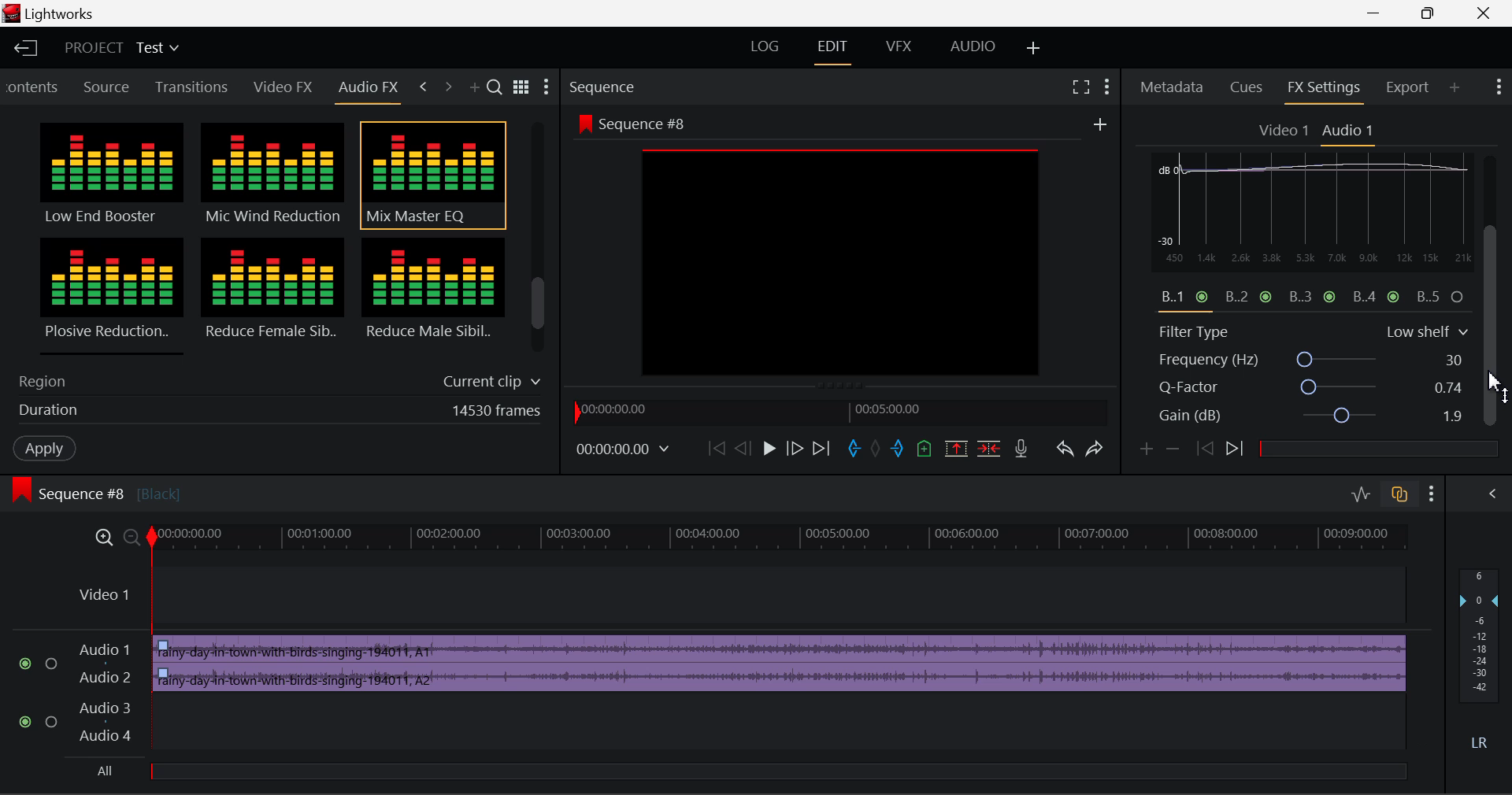  Describe the element at coordinates (369, 87) in the screenshot. I see `Audio FX ` at that location.